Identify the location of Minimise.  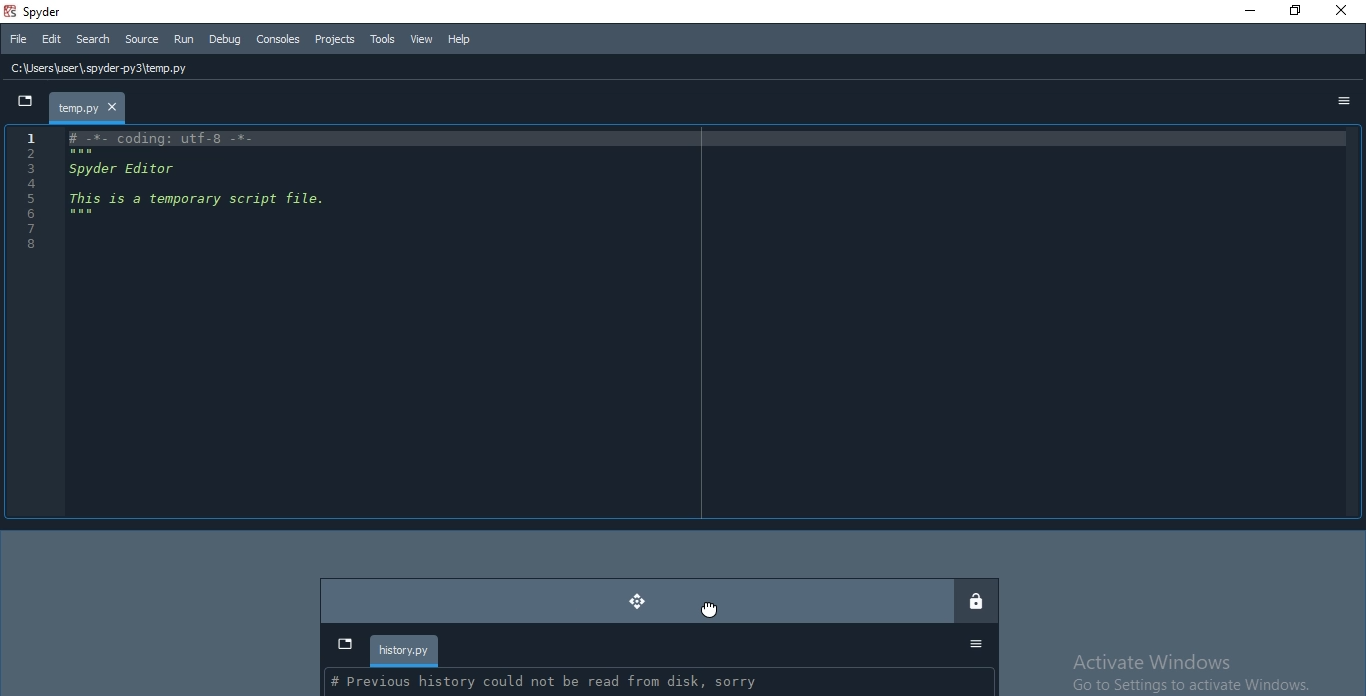
(1244, 12).